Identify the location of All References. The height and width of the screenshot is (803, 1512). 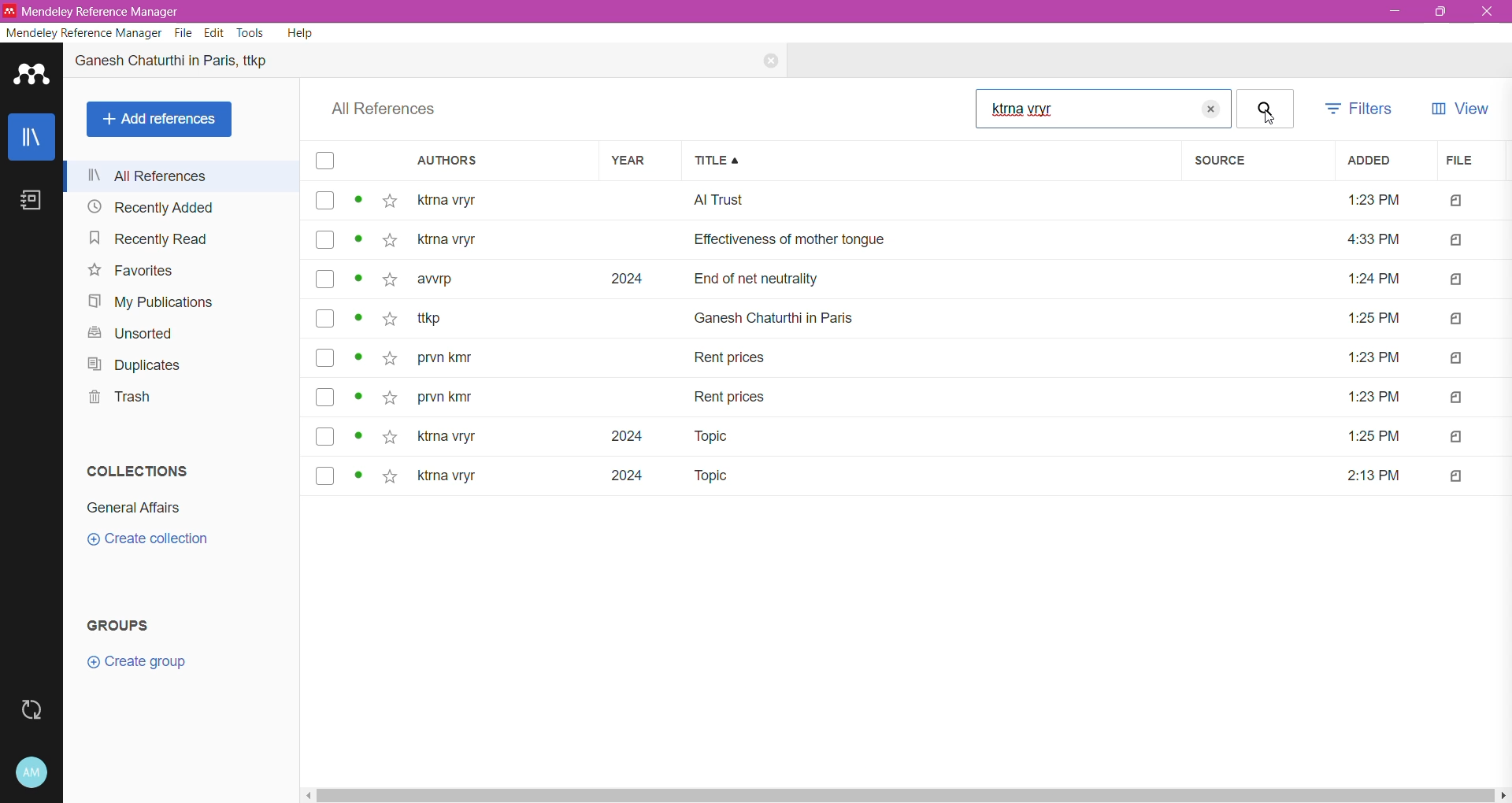
(391, 109).